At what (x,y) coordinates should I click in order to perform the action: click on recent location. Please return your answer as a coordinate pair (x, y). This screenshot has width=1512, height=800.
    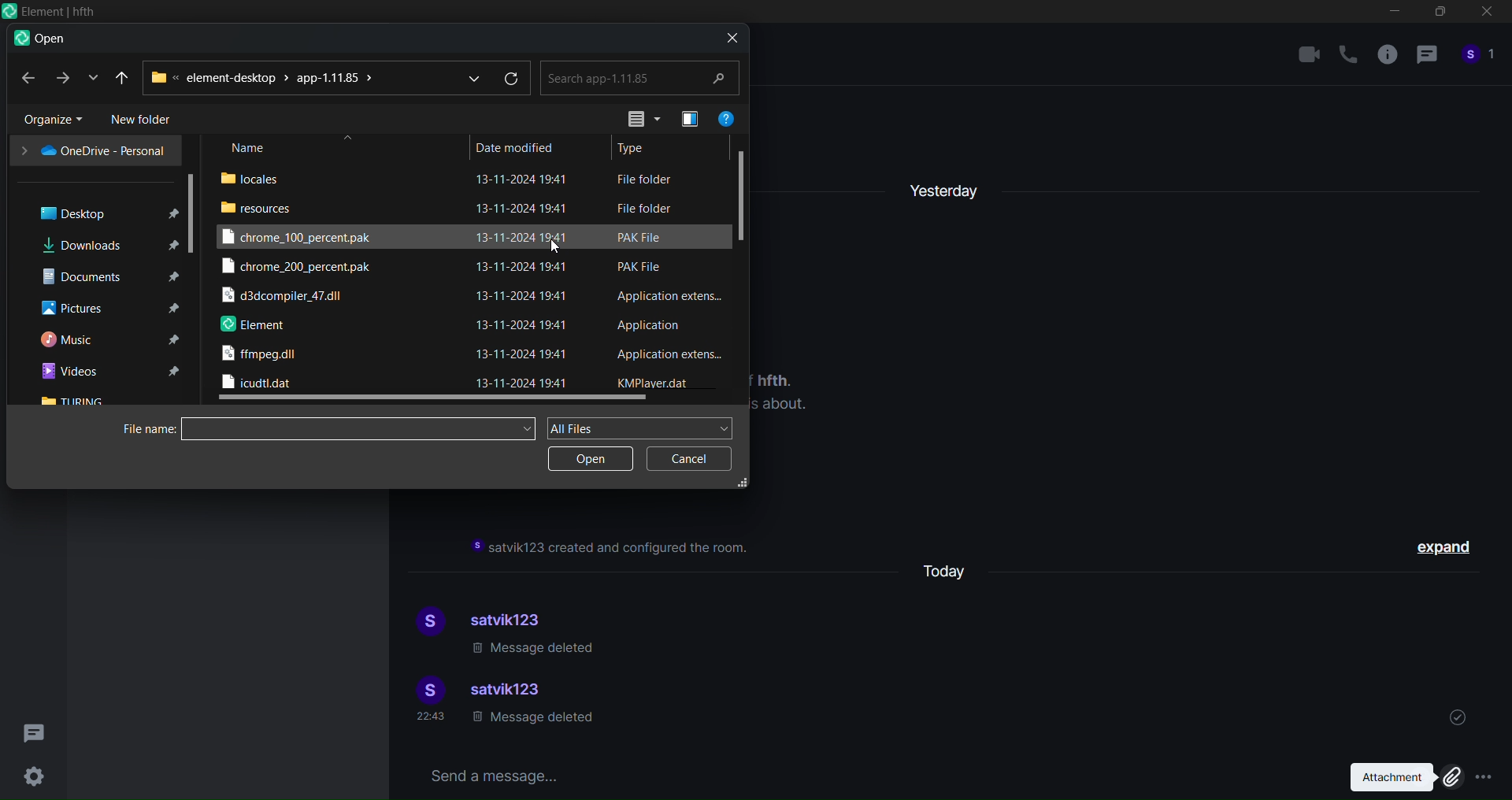
    Looking at the image, I should click on (90, 78).